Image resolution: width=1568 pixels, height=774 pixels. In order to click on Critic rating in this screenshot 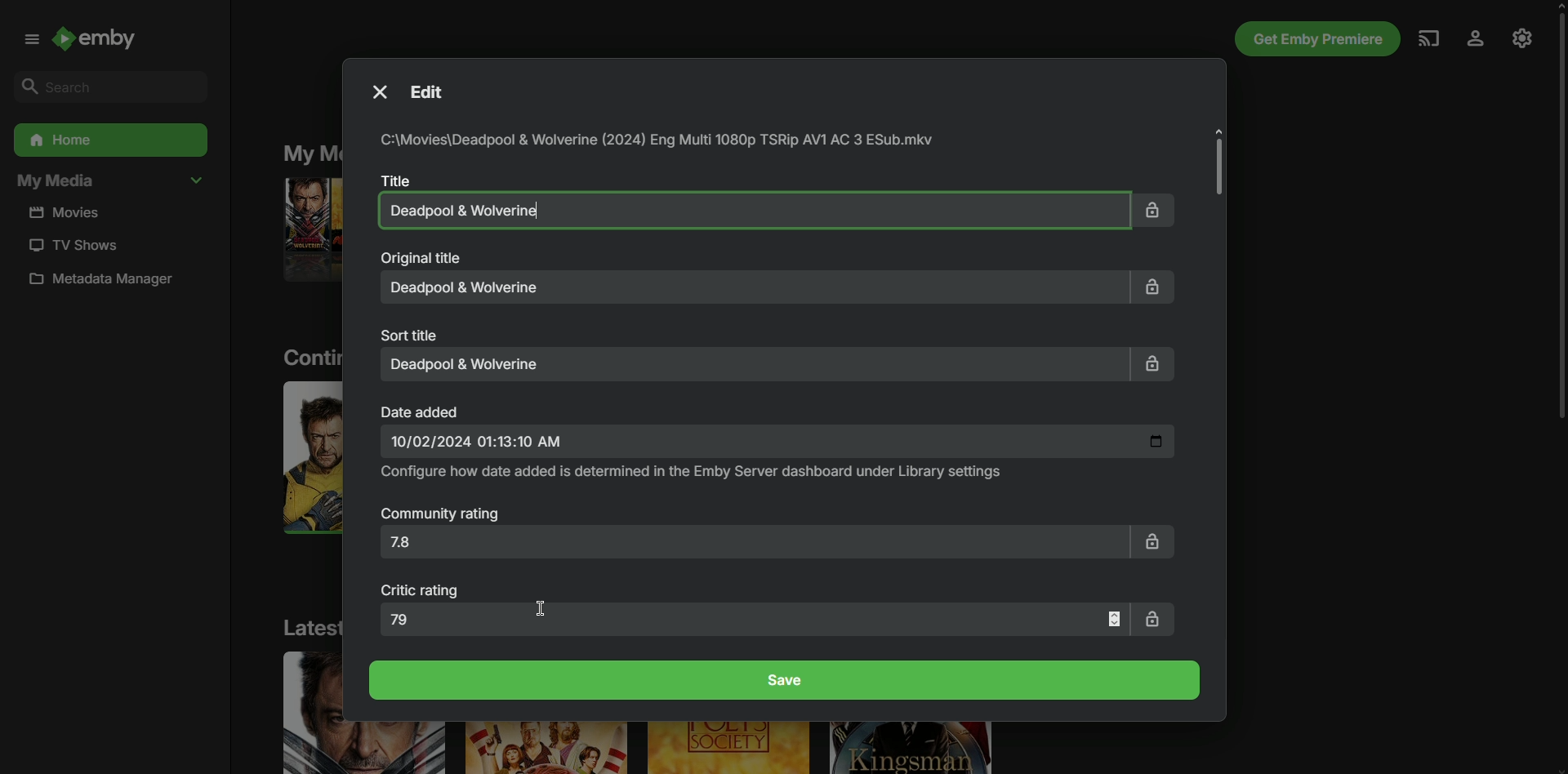, I will do `click(423, 591)`.